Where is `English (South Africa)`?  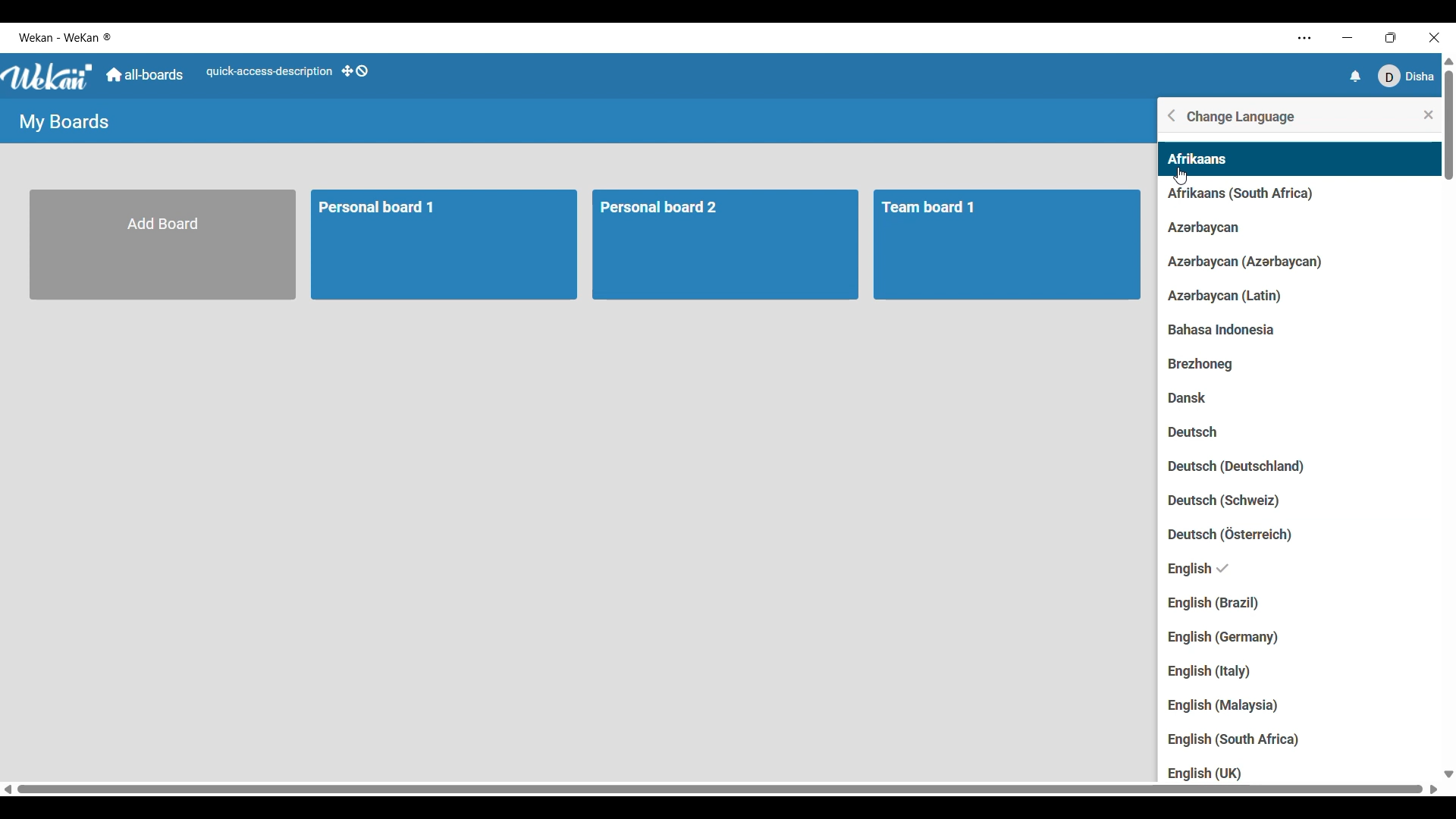
English (South Africa) is located at coordinates (1238, 739).